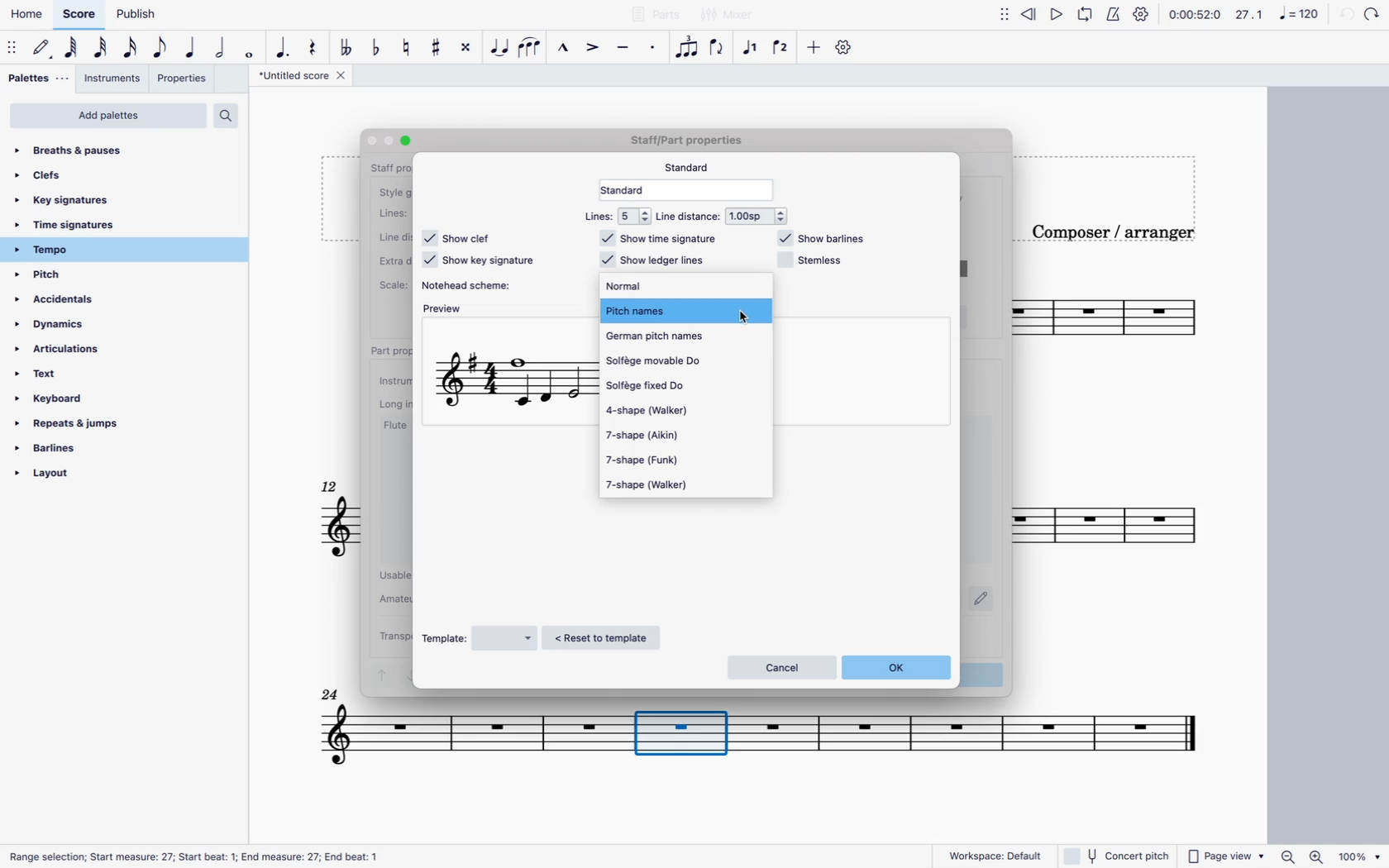  Describe the element at coordinates (653, 484) in the screenshot. I see `7-shape` at that location.